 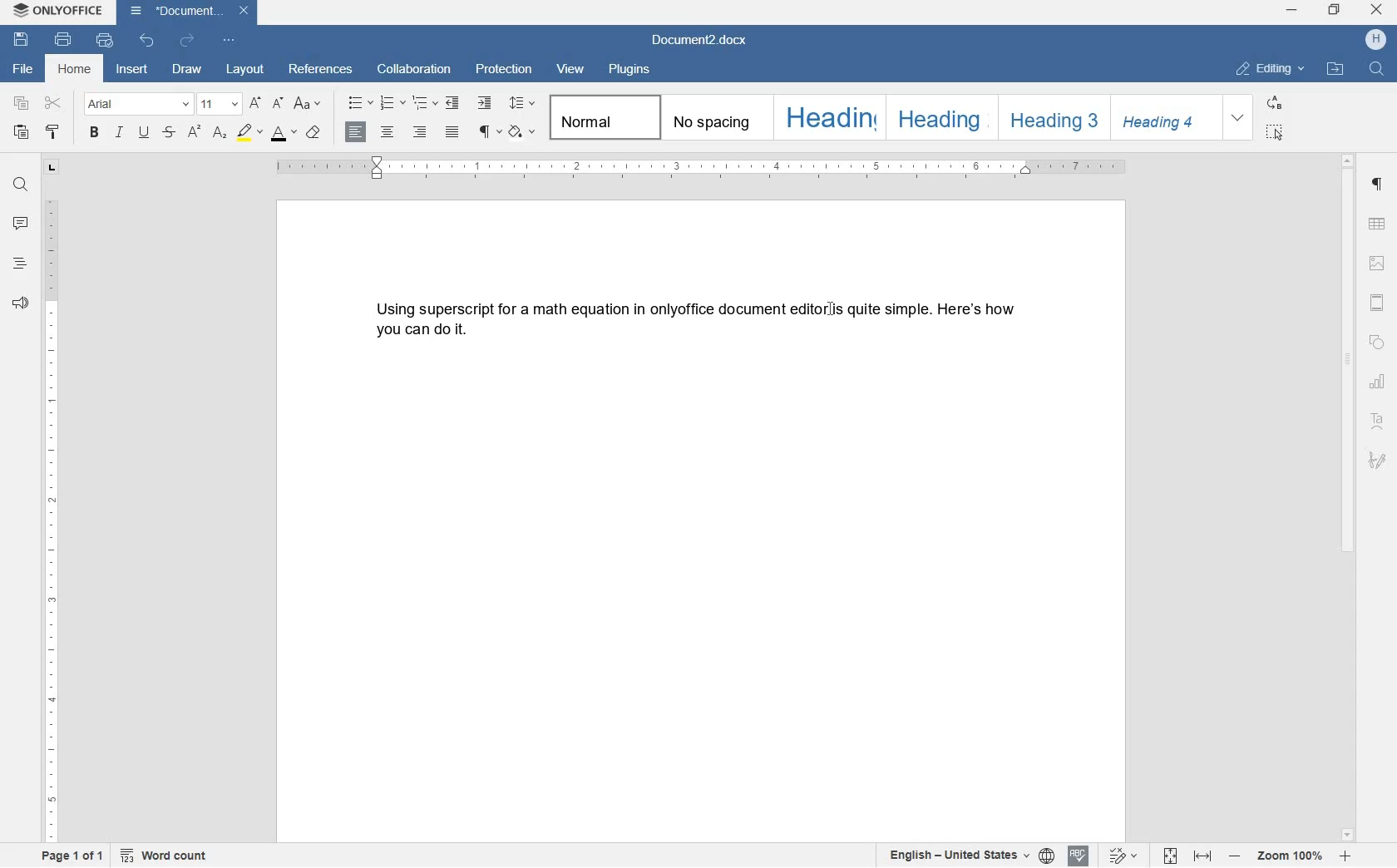 What do you see at coordinates (1379, 382) in the screenshot?
I see `chart` at bounding box center [1379, 382].